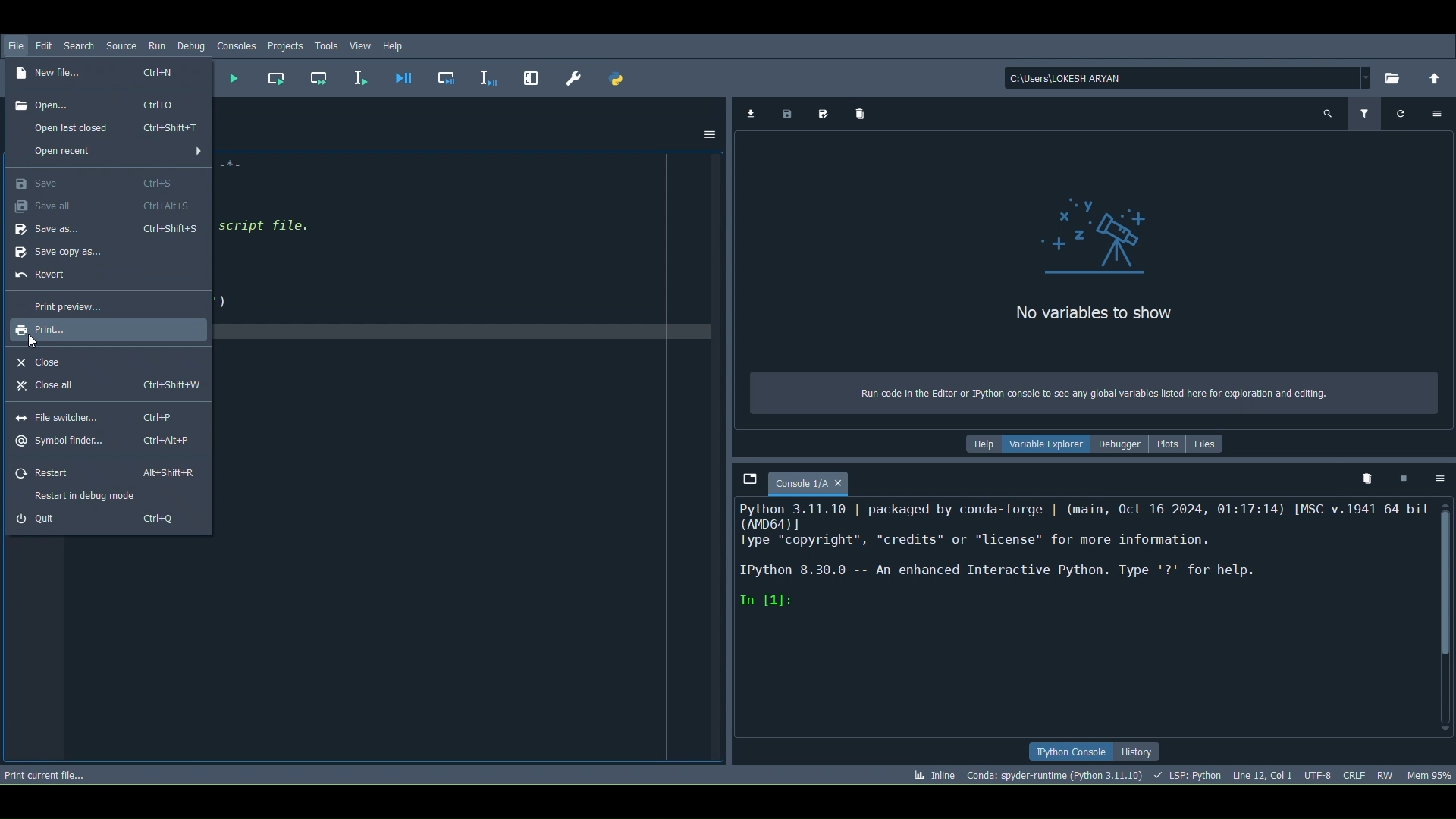  What do you see at coordinates (1320, 774) in the screenshot?
I see `Encoding` at bounding box center [1320, 774].